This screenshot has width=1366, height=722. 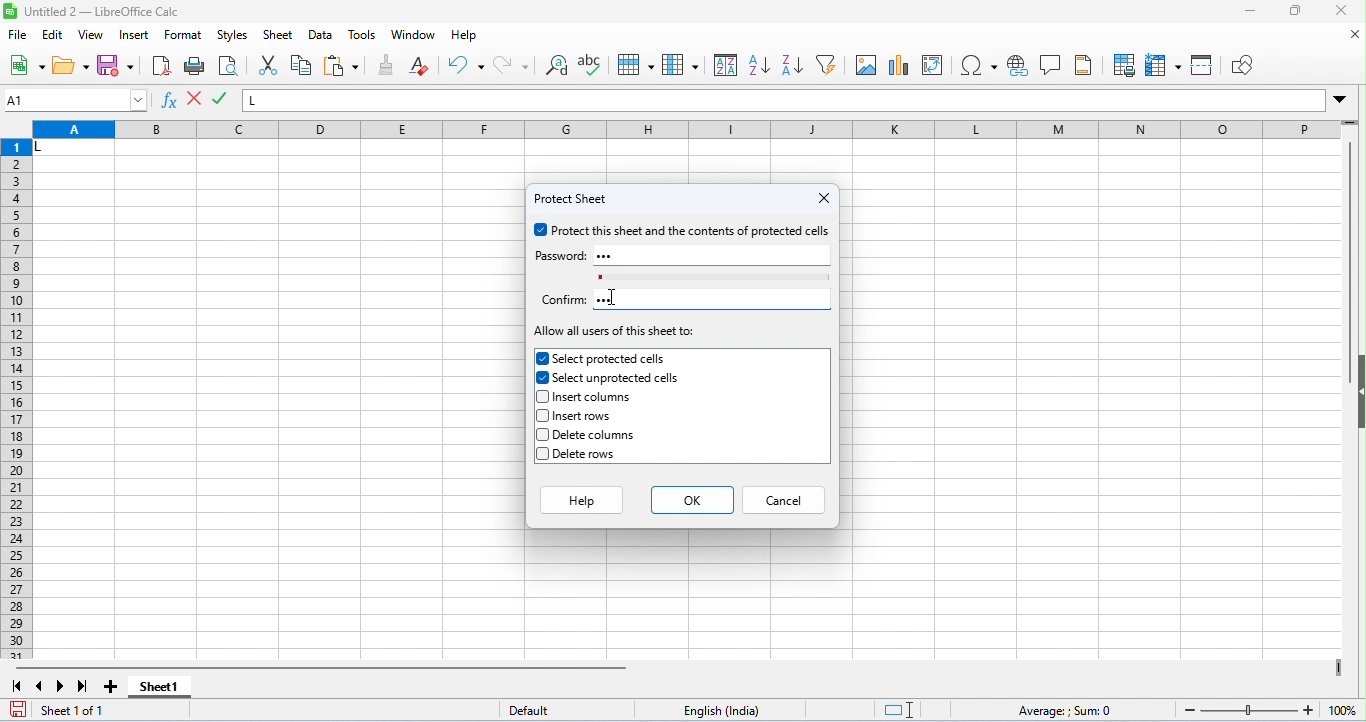 What do you see at coordinates (612, 256) in the screenshot?
I see `password typed` at bounding box center [612, 256].